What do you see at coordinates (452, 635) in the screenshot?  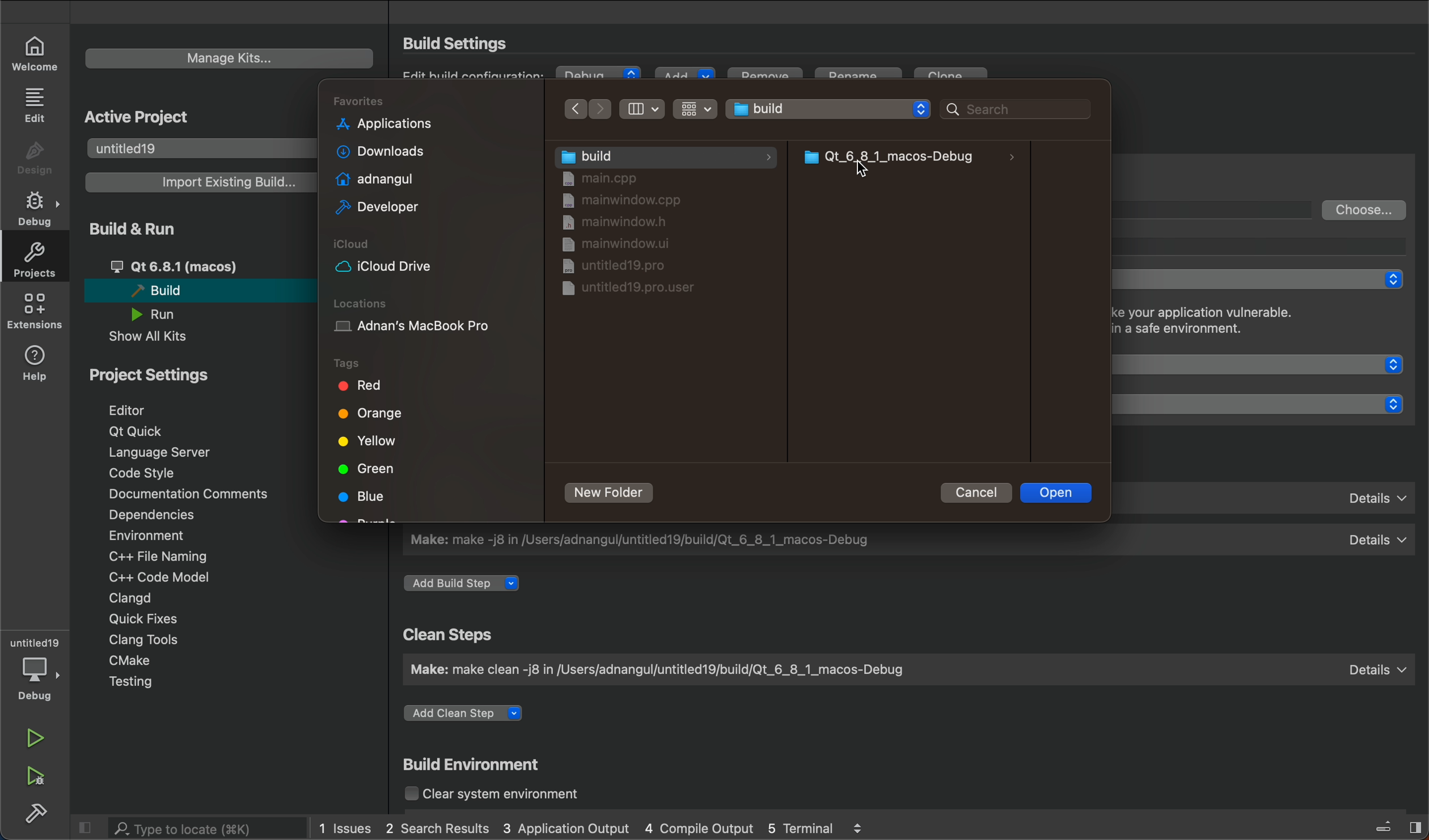 I see `clean steps` at bounding box center [452, 635].